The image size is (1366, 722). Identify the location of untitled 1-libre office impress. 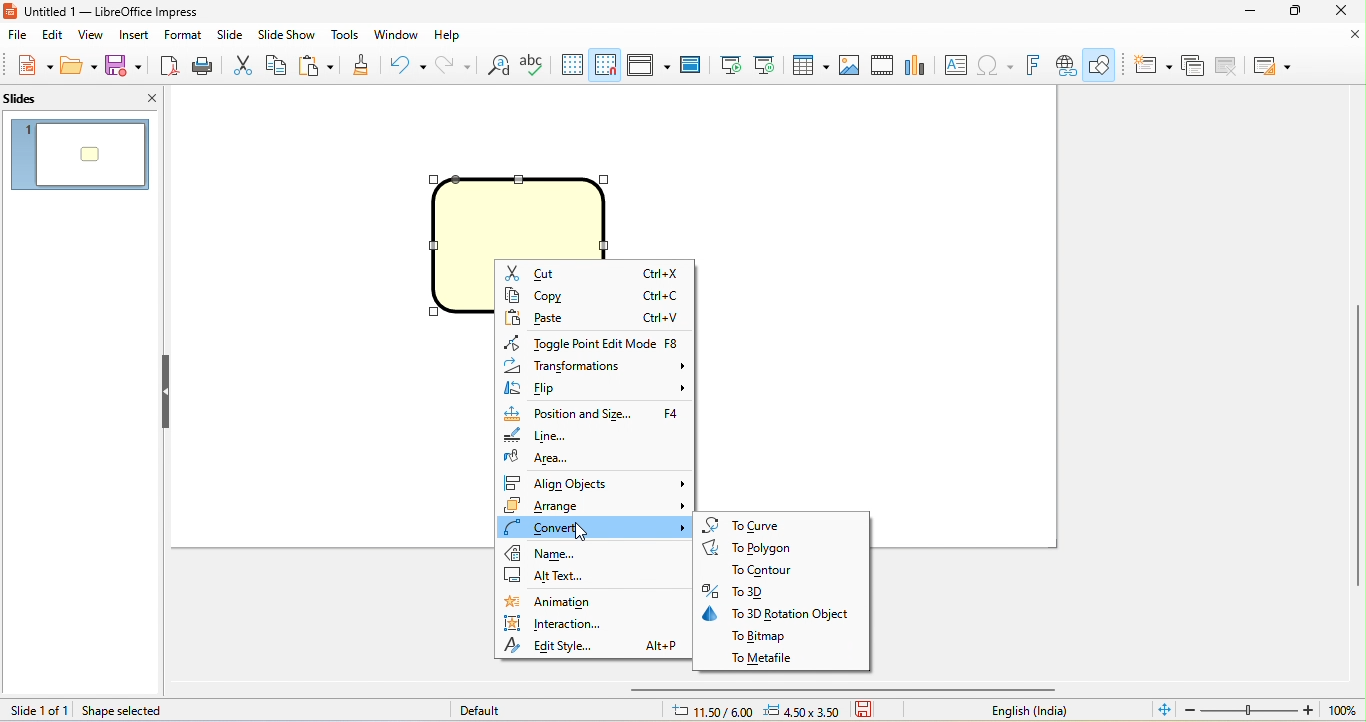
(137, 12).